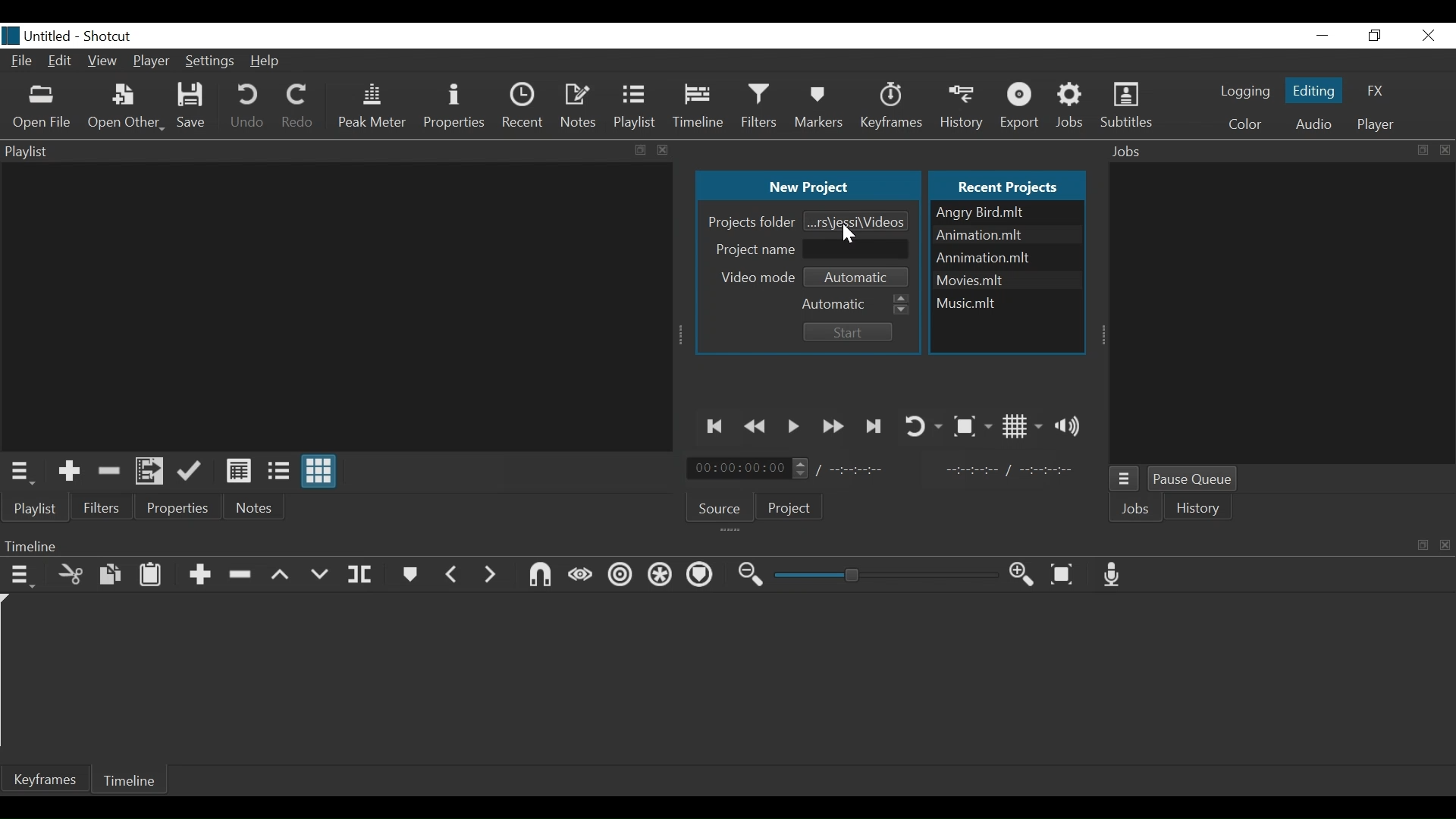  What do you see at coordinates (867, 470) in the screenshot?
I see `Total Duration` at bounding box center [867, 470].